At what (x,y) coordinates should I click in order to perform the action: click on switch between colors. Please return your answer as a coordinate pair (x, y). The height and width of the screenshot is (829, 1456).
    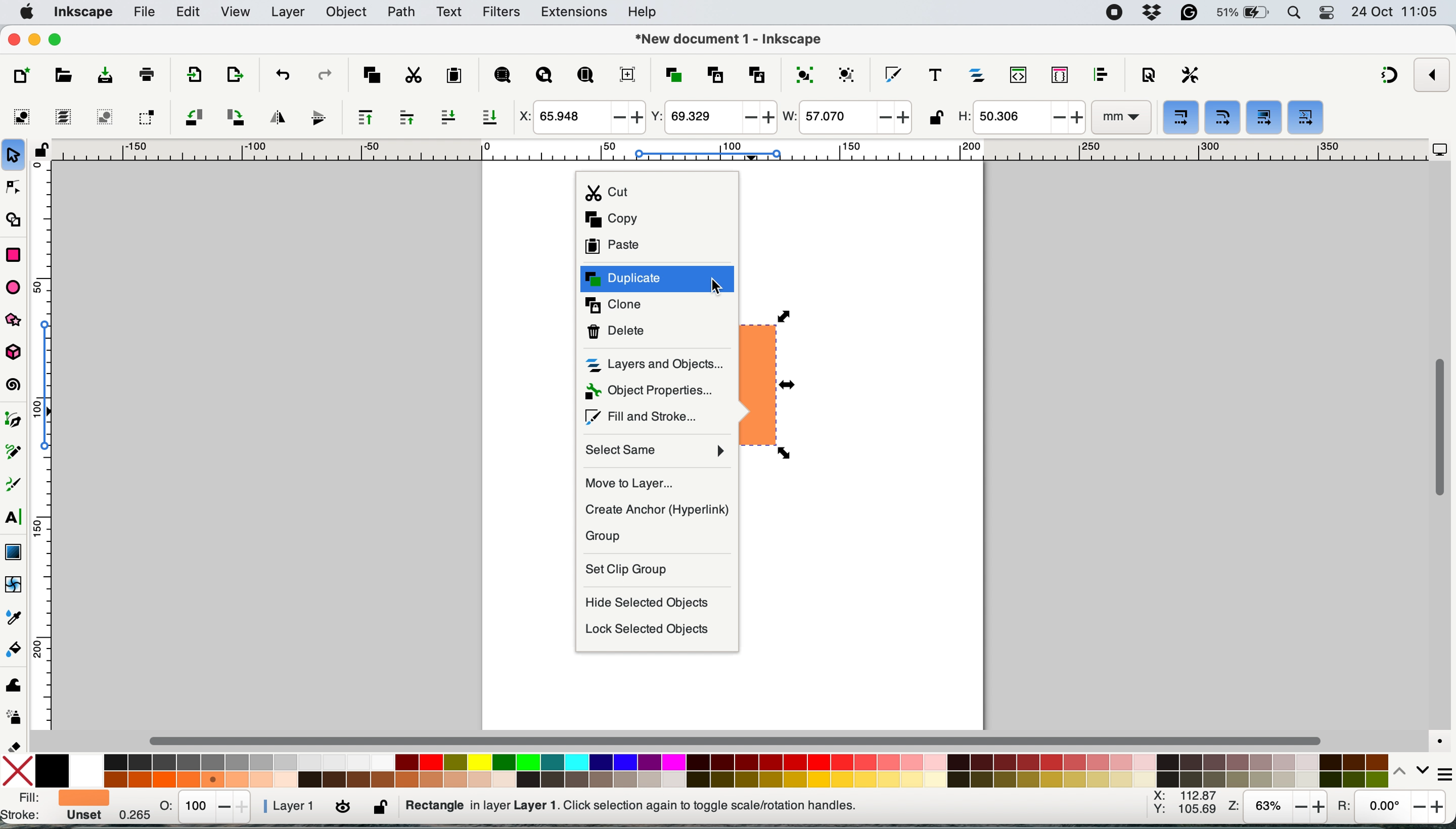
    Looking at the image, I should click on (1404, 770).